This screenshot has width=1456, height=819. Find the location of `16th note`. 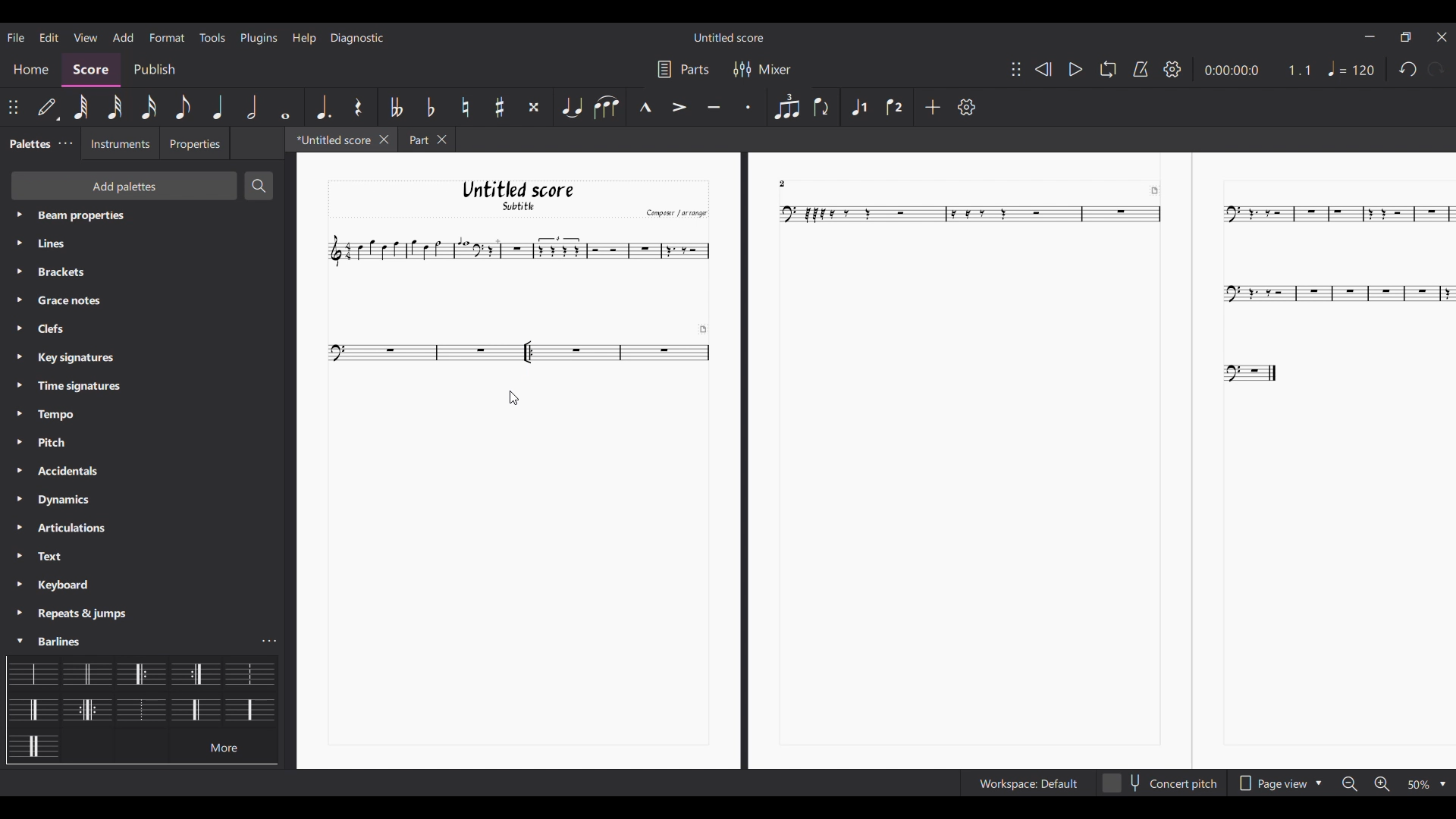

16th note is located at coordinates (149, 107).